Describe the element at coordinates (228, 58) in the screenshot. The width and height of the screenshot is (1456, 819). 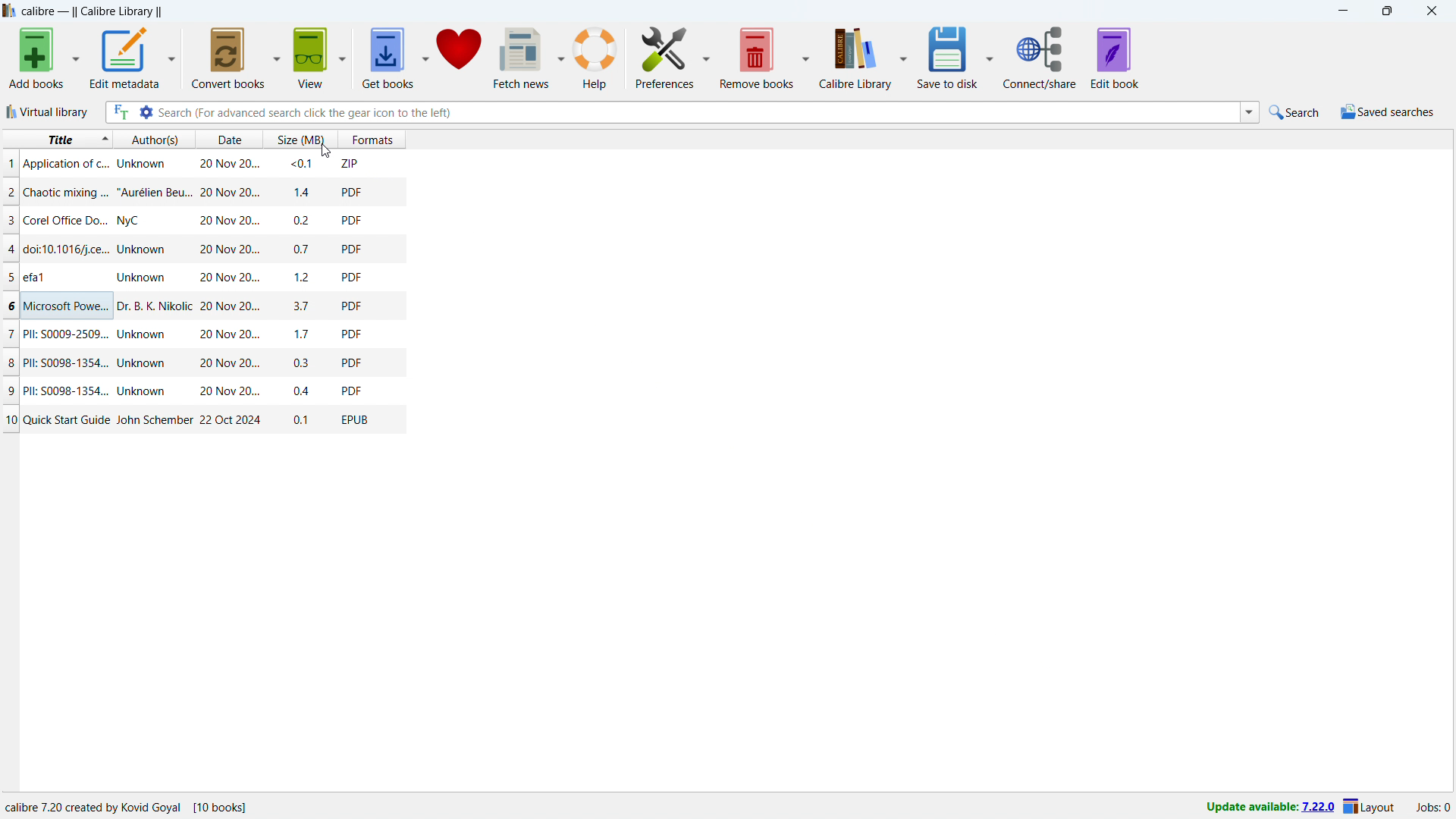
I see `convert books` at that location.